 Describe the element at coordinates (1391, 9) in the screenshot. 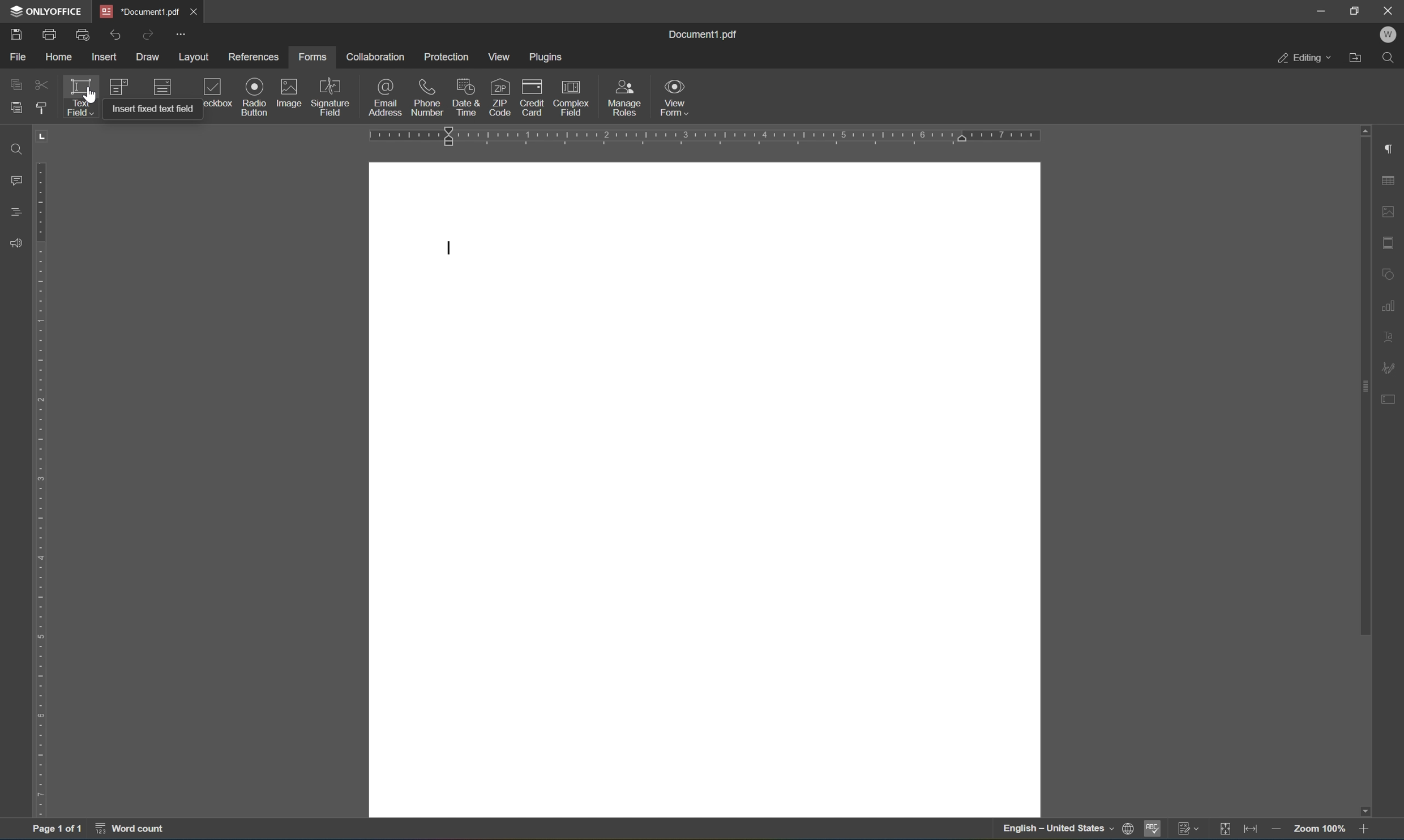

I see `close` at that location.